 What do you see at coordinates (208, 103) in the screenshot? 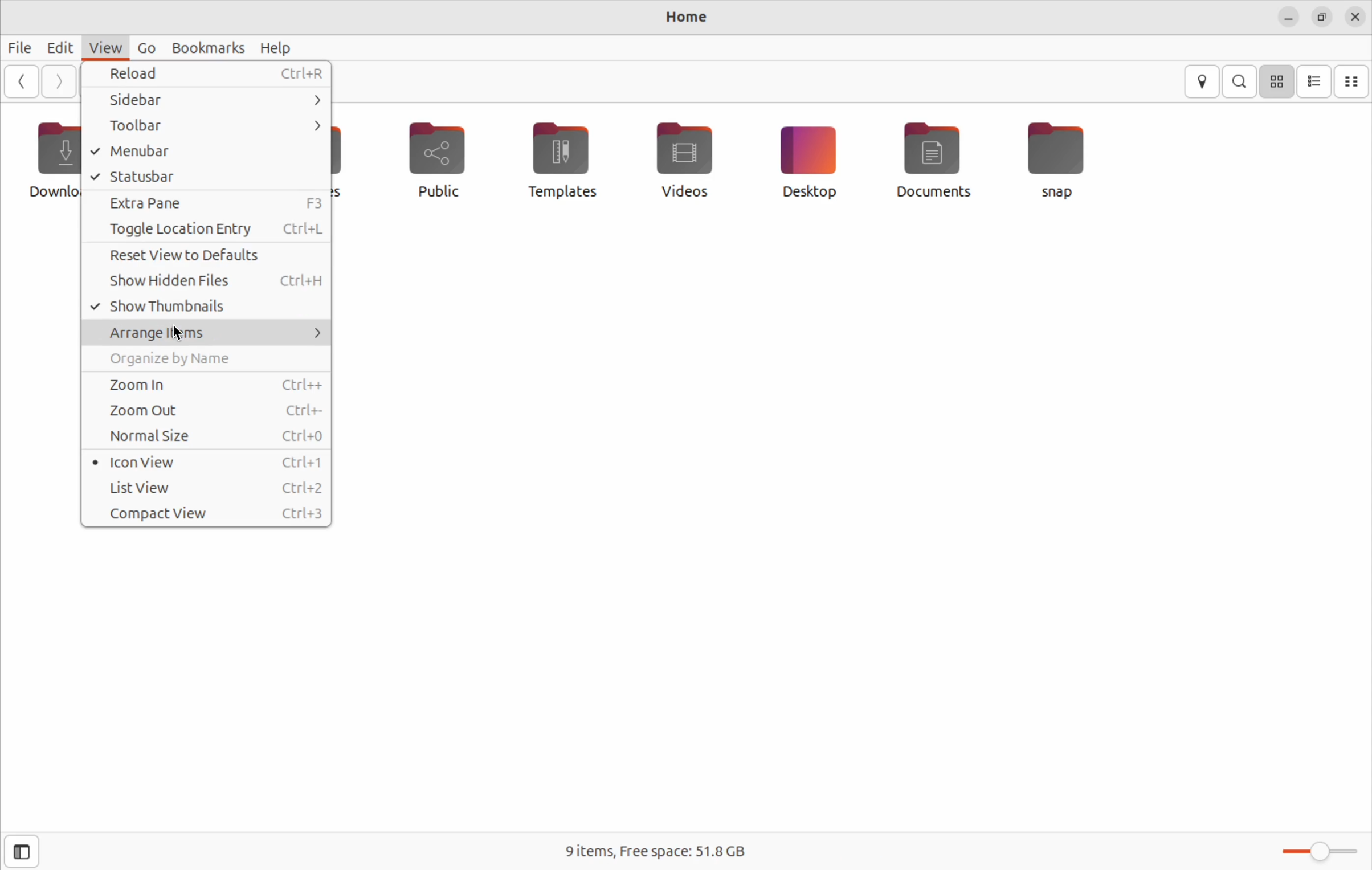
I see `side bar` at bounding box center [208, 103].